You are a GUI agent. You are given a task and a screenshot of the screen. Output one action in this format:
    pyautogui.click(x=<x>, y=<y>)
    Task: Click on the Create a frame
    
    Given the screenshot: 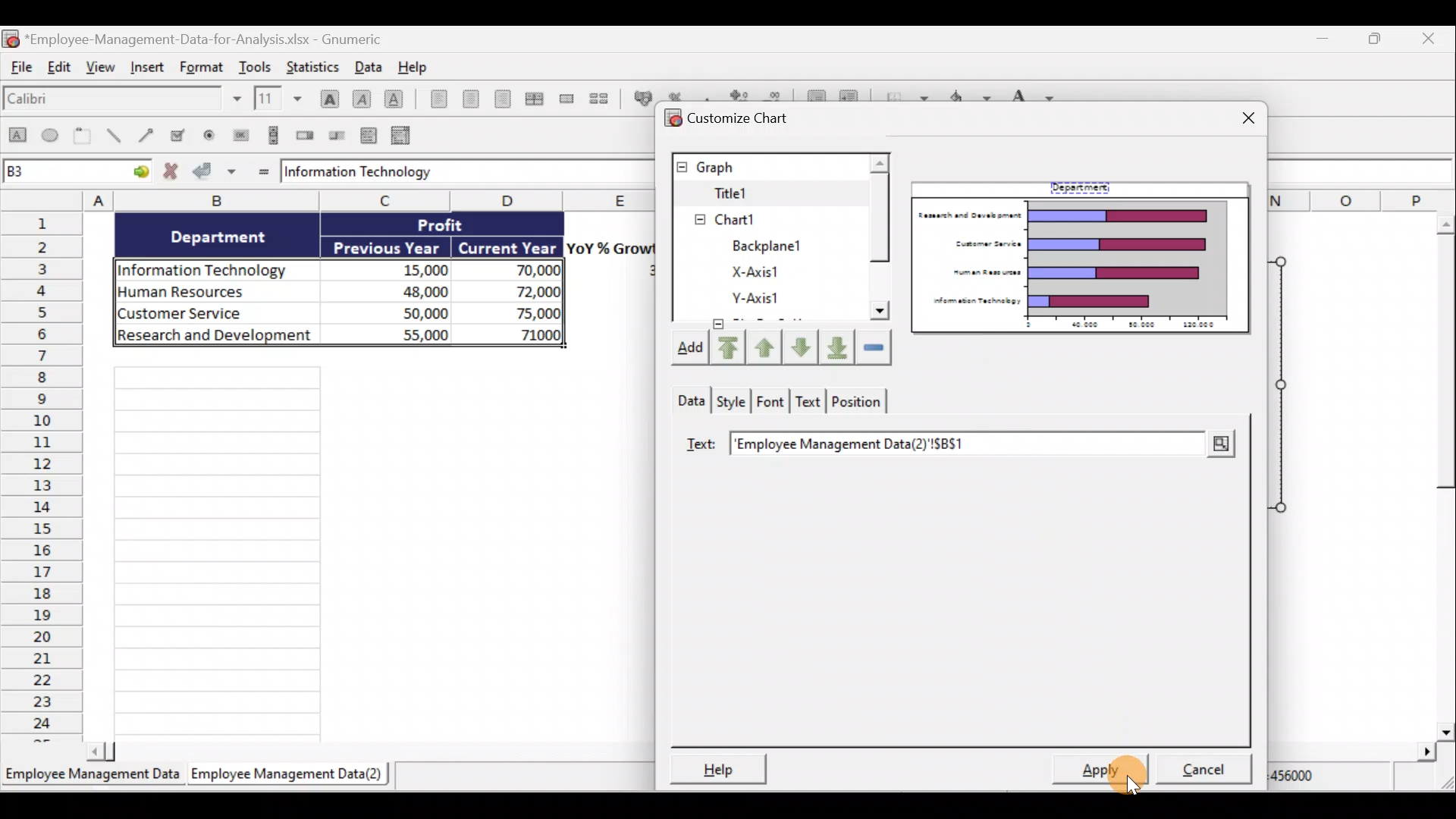 What is the action you would take?
    pyautogui.click(x=83, y=135)
    